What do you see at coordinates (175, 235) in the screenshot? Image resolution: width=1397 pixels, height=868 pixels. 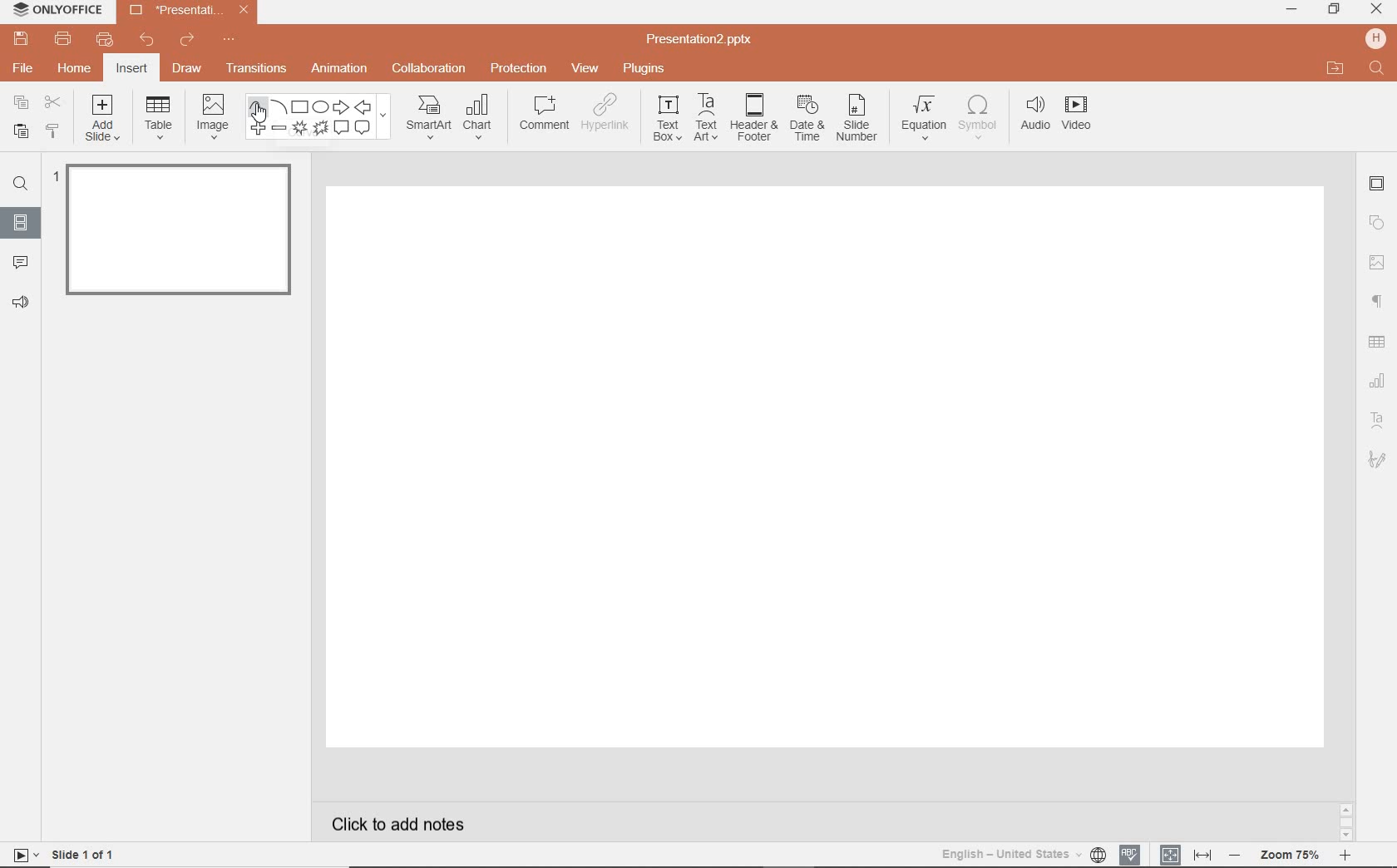 I see `SLIDE1` at bounding box center [175, 235].